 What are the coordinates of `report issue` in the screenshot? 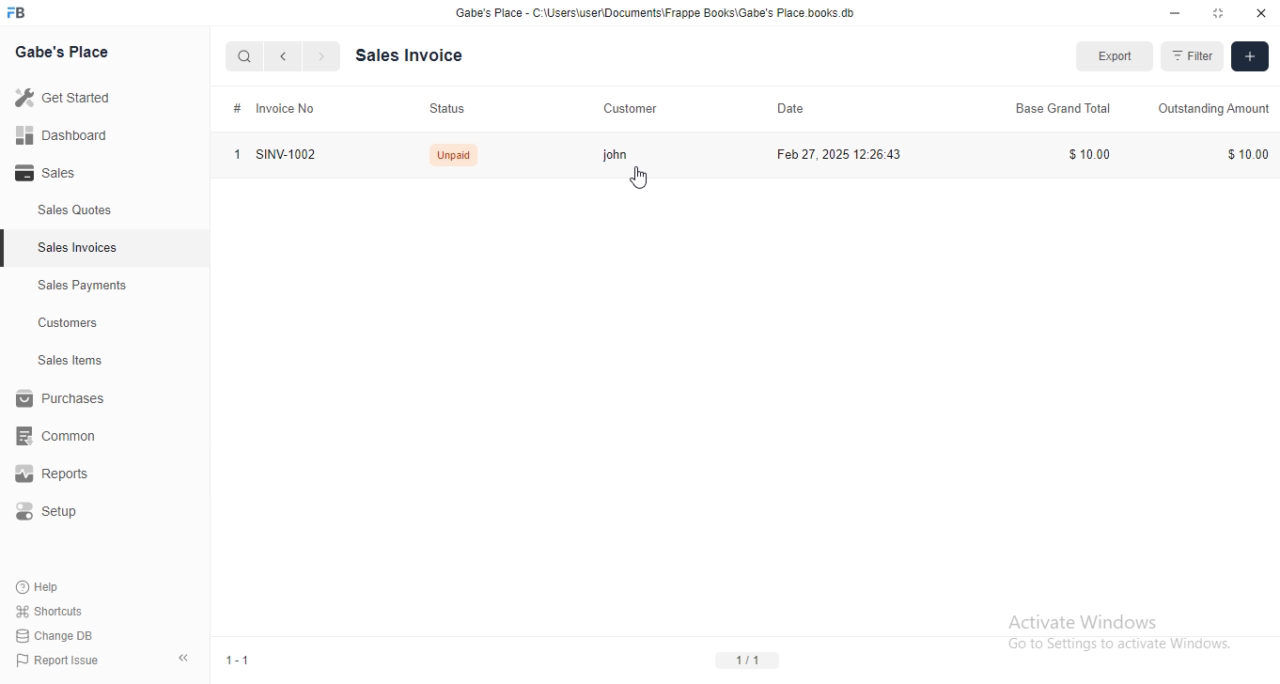 It's located at (57, 660).